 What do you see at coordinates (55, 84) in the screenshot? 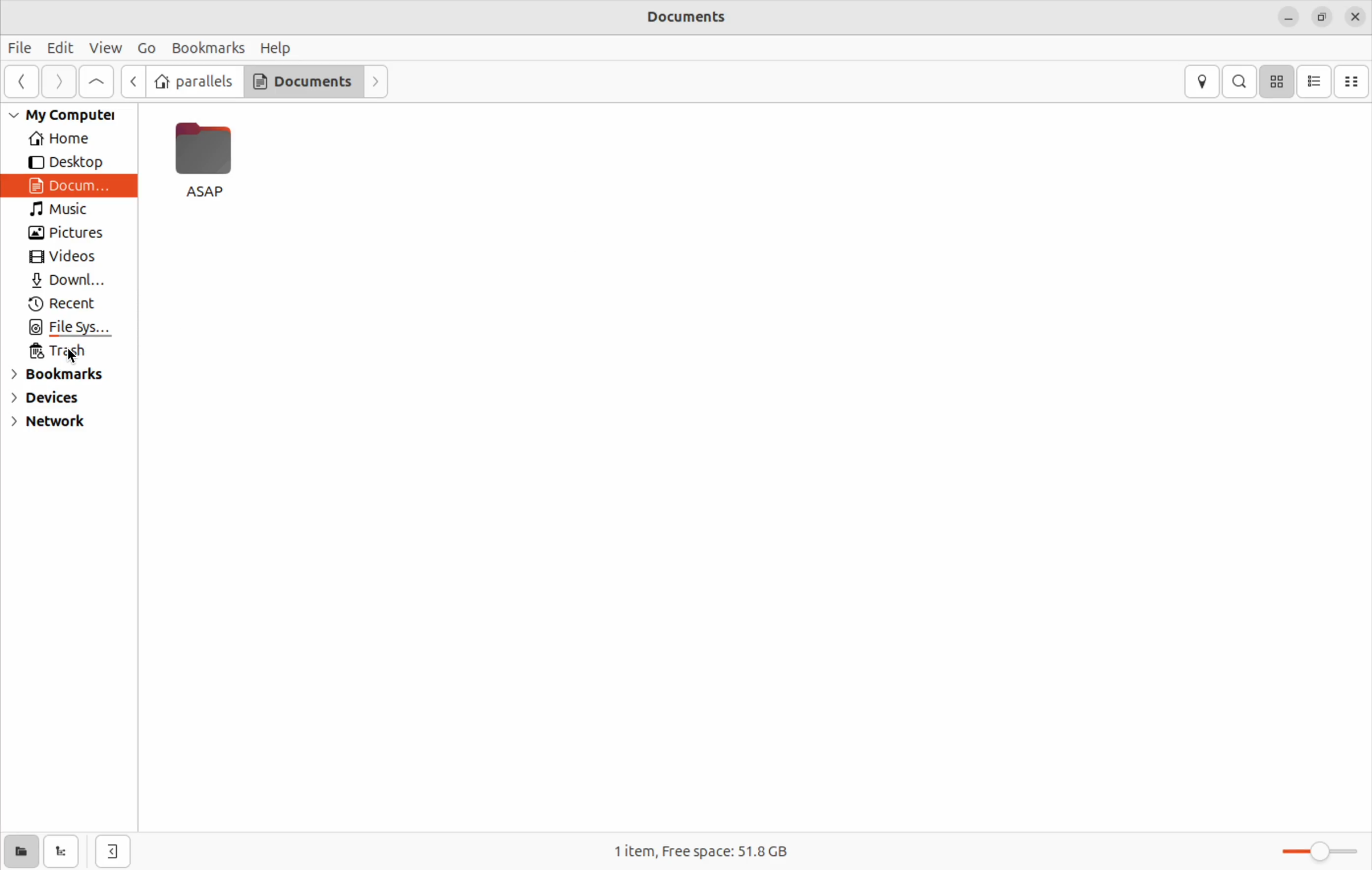
I see `forward` at bounding box center [55, 84].